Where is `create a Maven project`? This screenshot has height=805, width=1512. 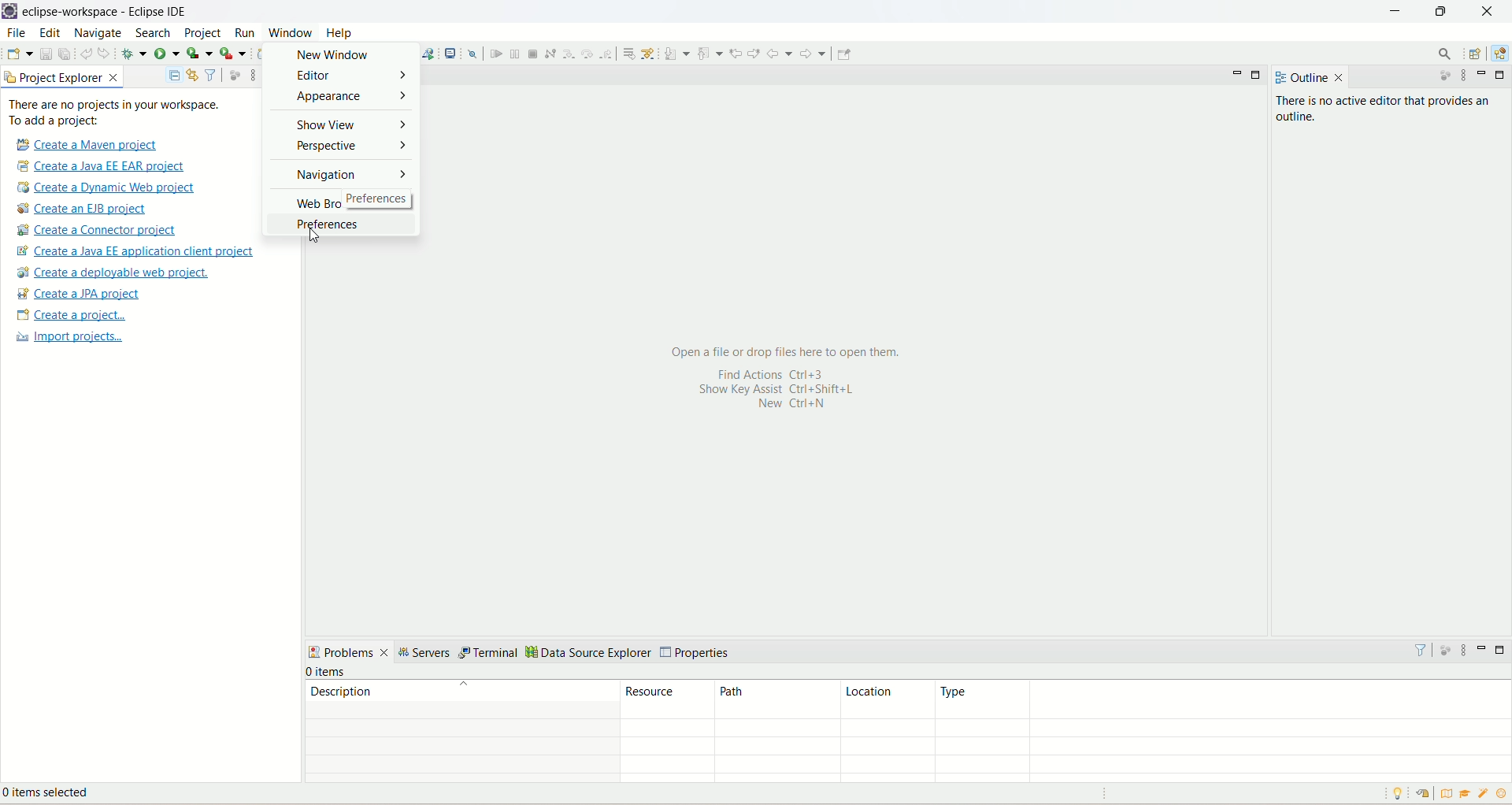
create a Maven project is located at coordinates (83, 144).